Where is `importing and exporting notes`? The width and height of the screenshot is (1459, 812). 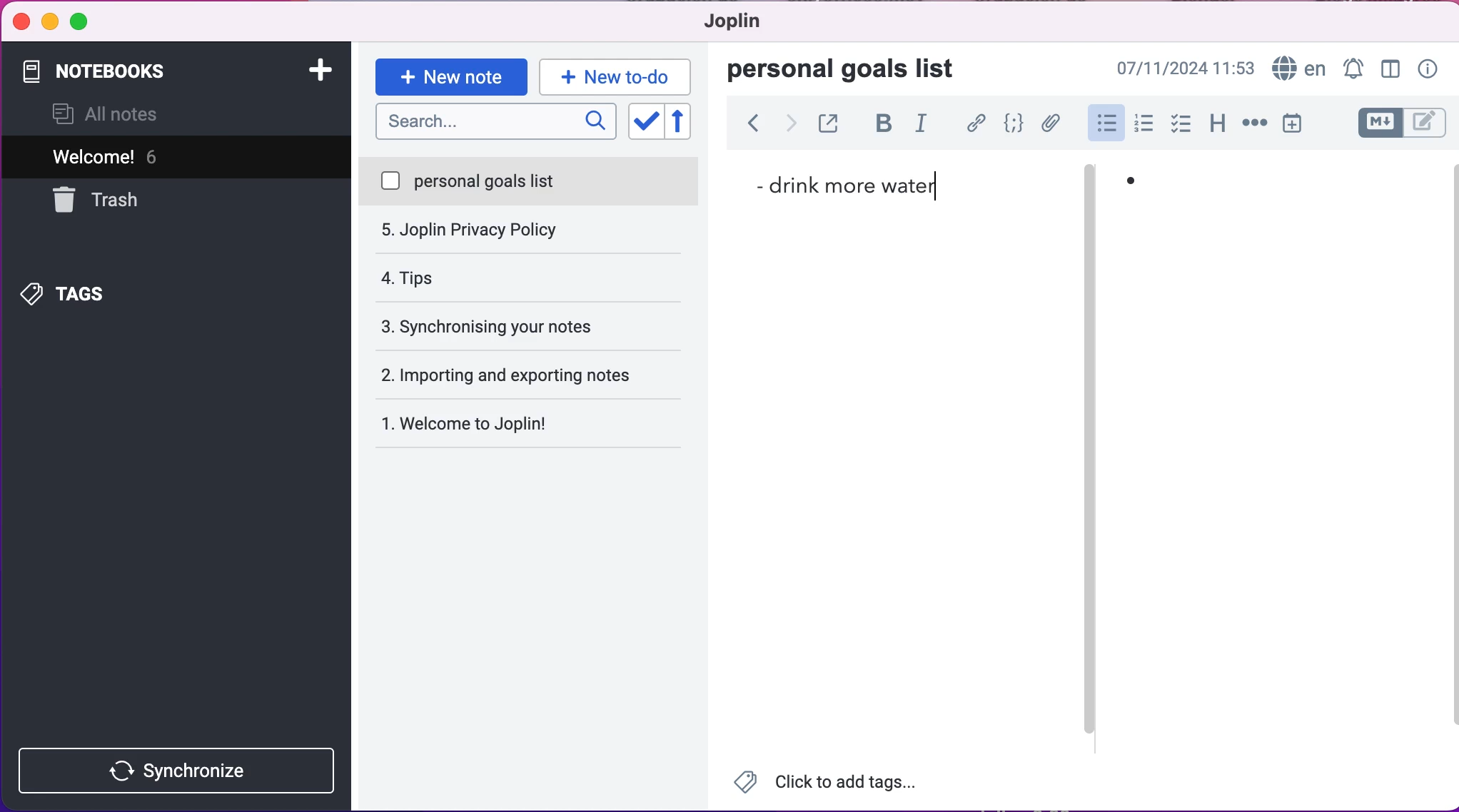
importing and exporting notes is located at coordinates (536, 325).